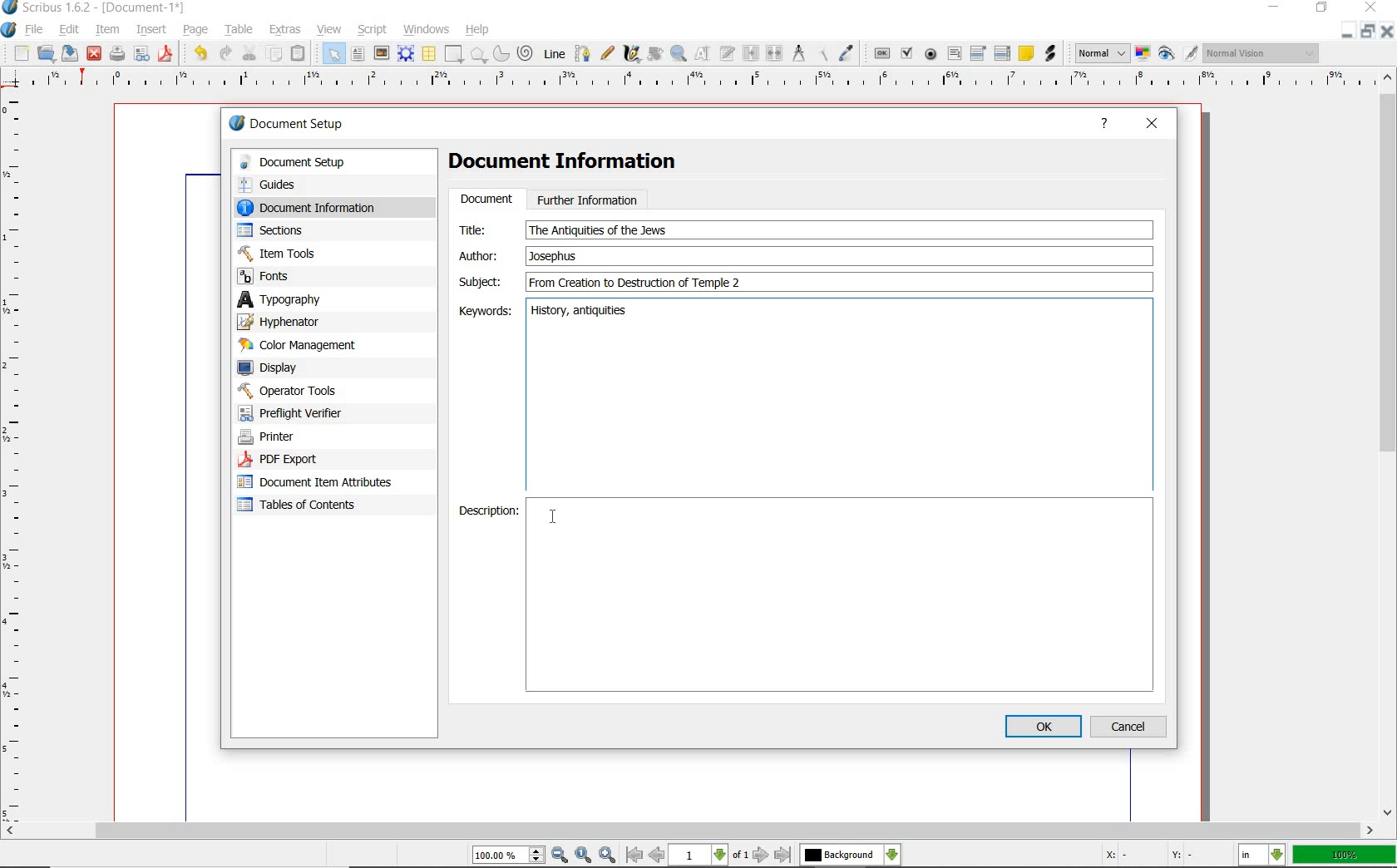 The image size is (1397, 868). Describe the element at coordinates (165, 56) in the screenshot. I see `save as pdf` at that location.